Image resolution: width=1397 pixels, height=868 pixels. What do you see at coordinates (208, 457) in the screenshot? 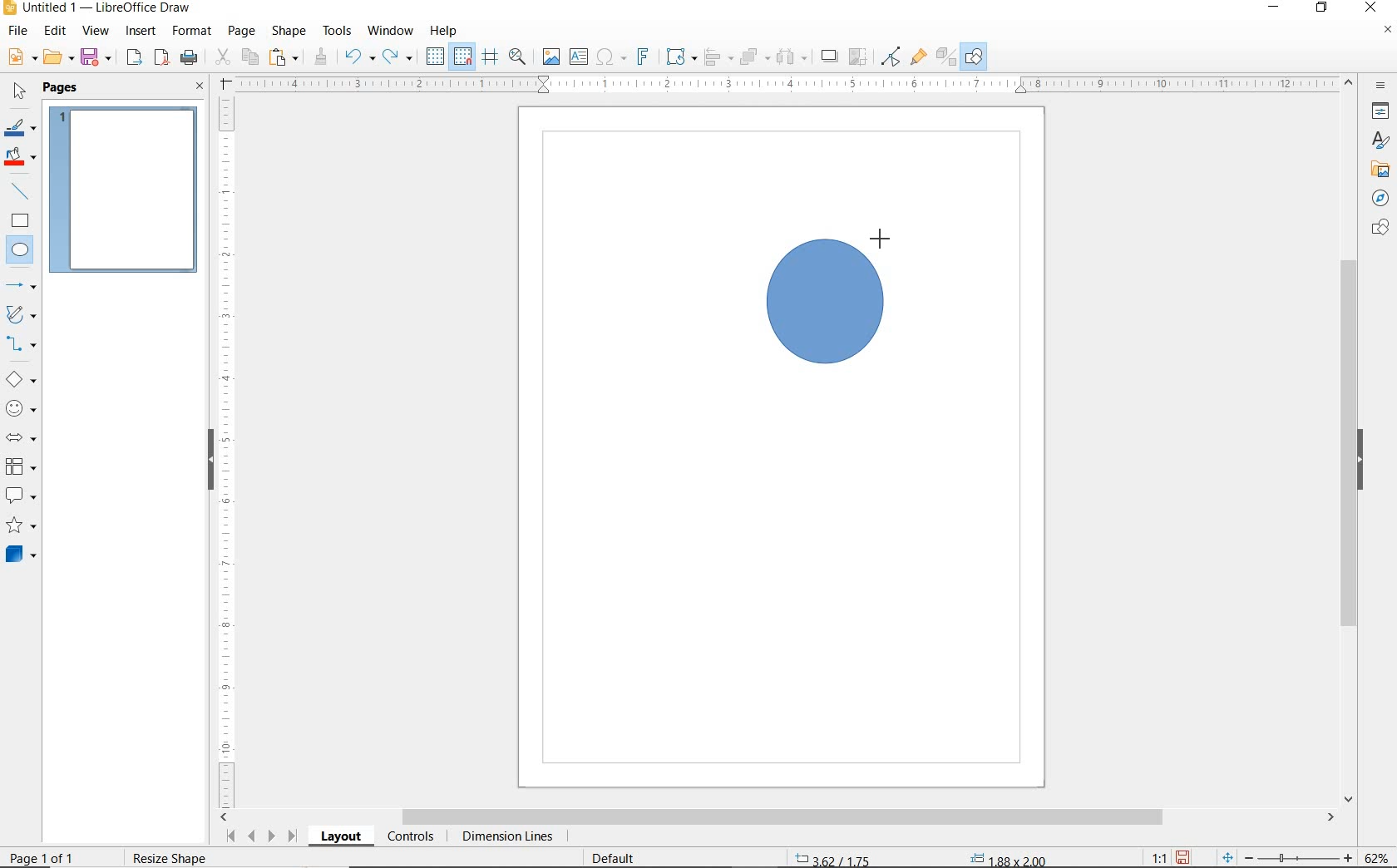
I see `HIDE` at bounding box center [208, 457].